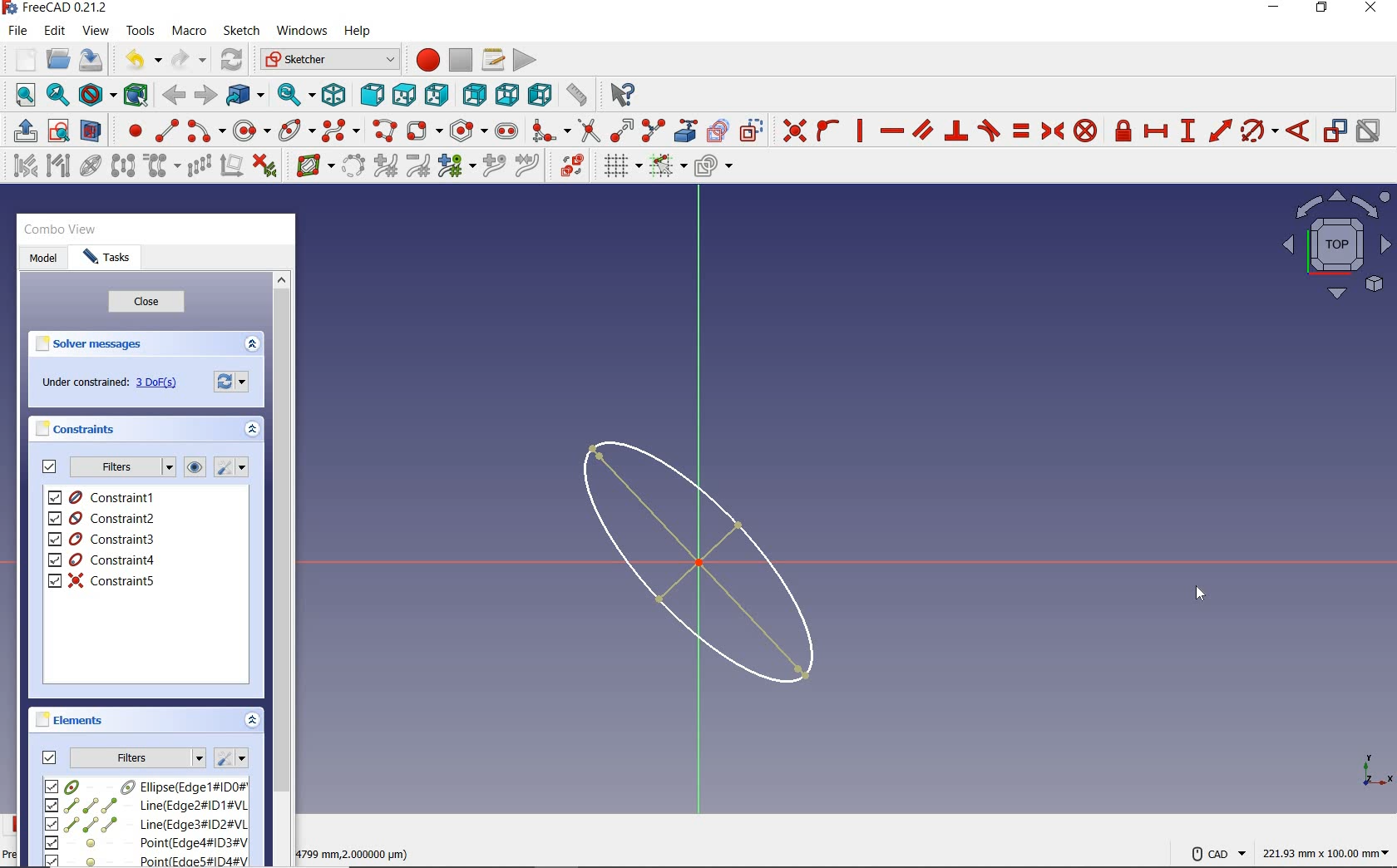  Describe the element at coordinates (383, 131) in the screenshot. I see `create polyline` at that location.